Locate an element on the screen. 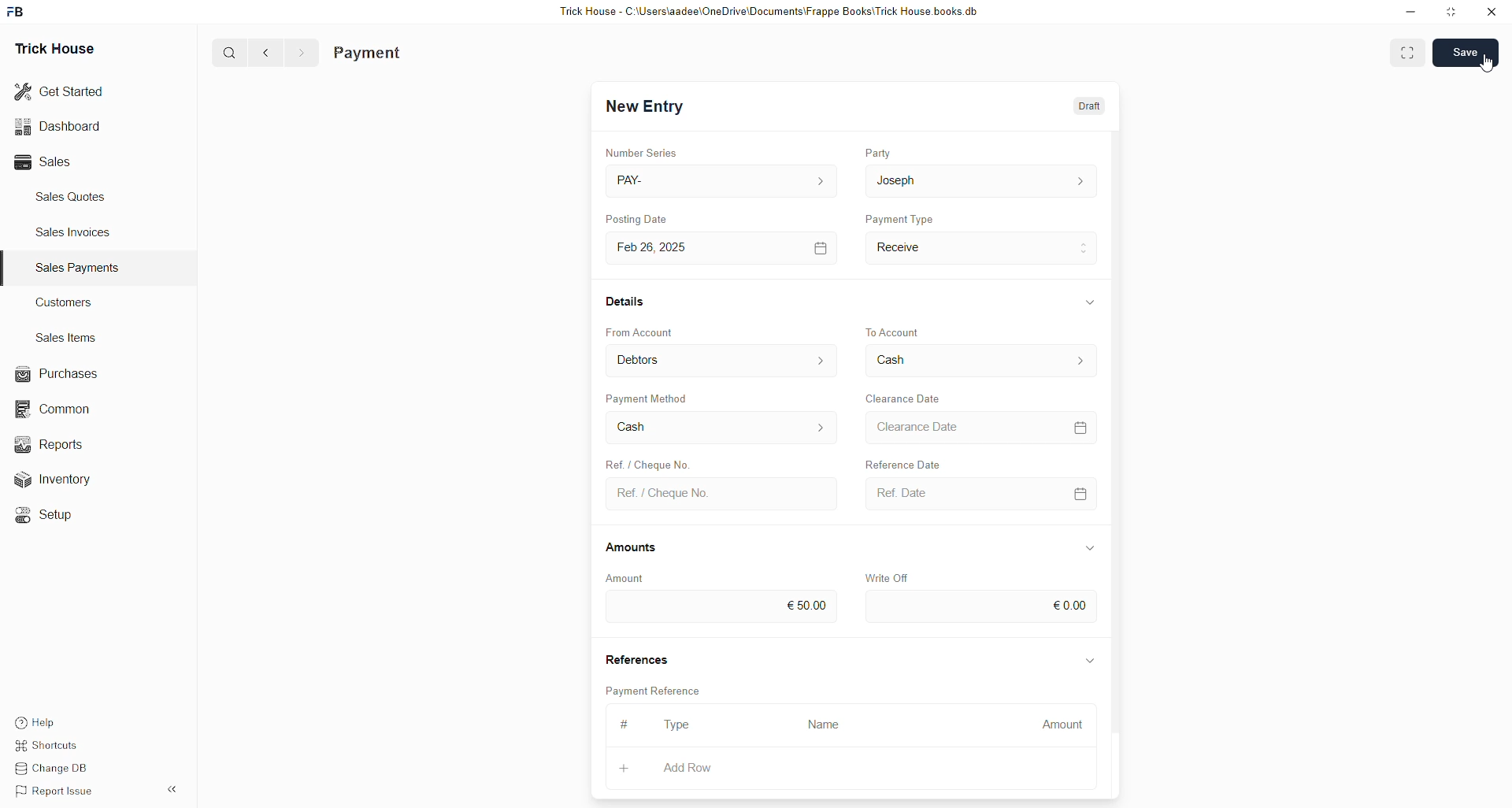  PAY is located at coordinates (724, 180).